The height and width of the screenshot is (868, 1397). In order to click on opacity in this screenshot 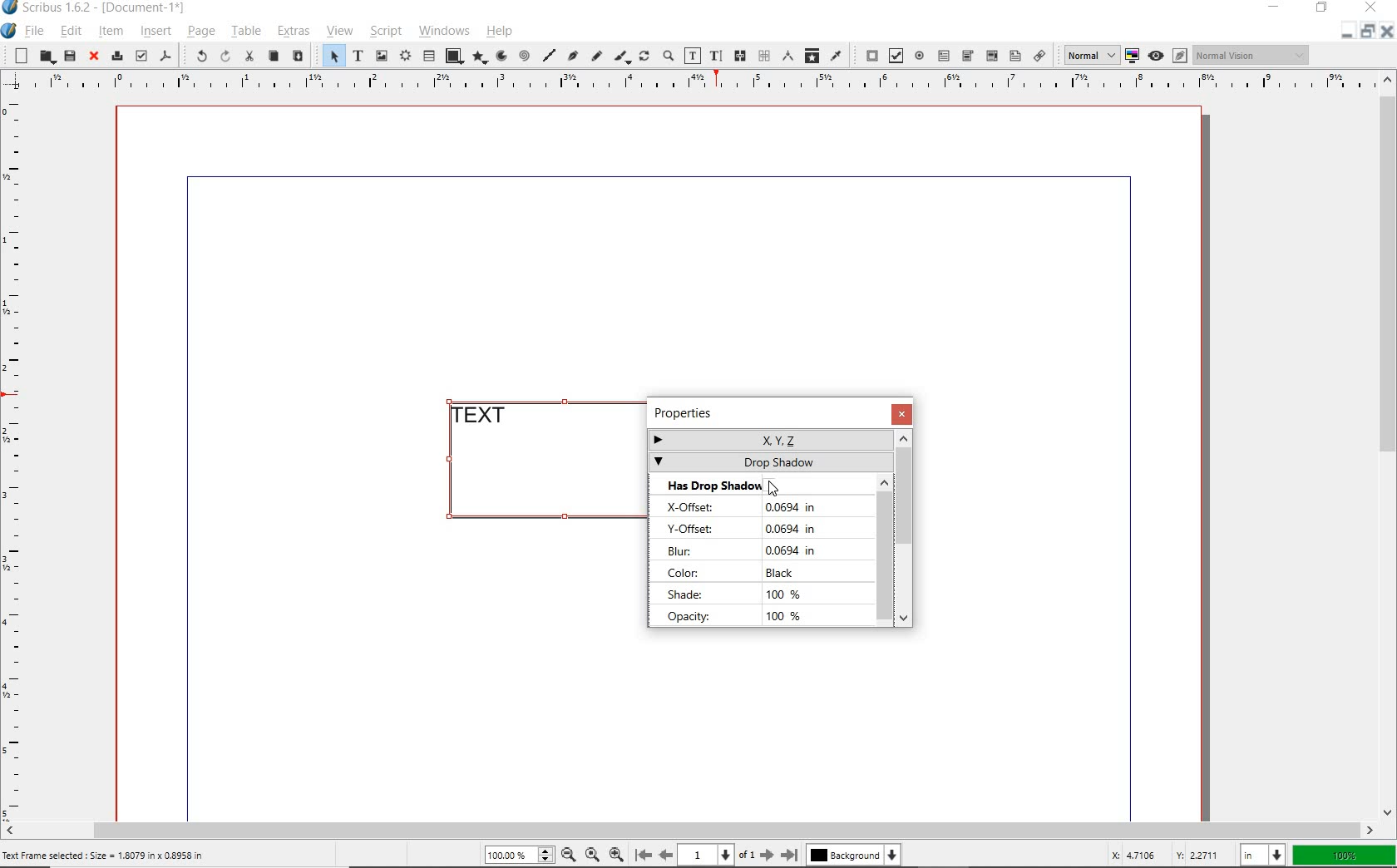, I will do `click(741, 617)`.